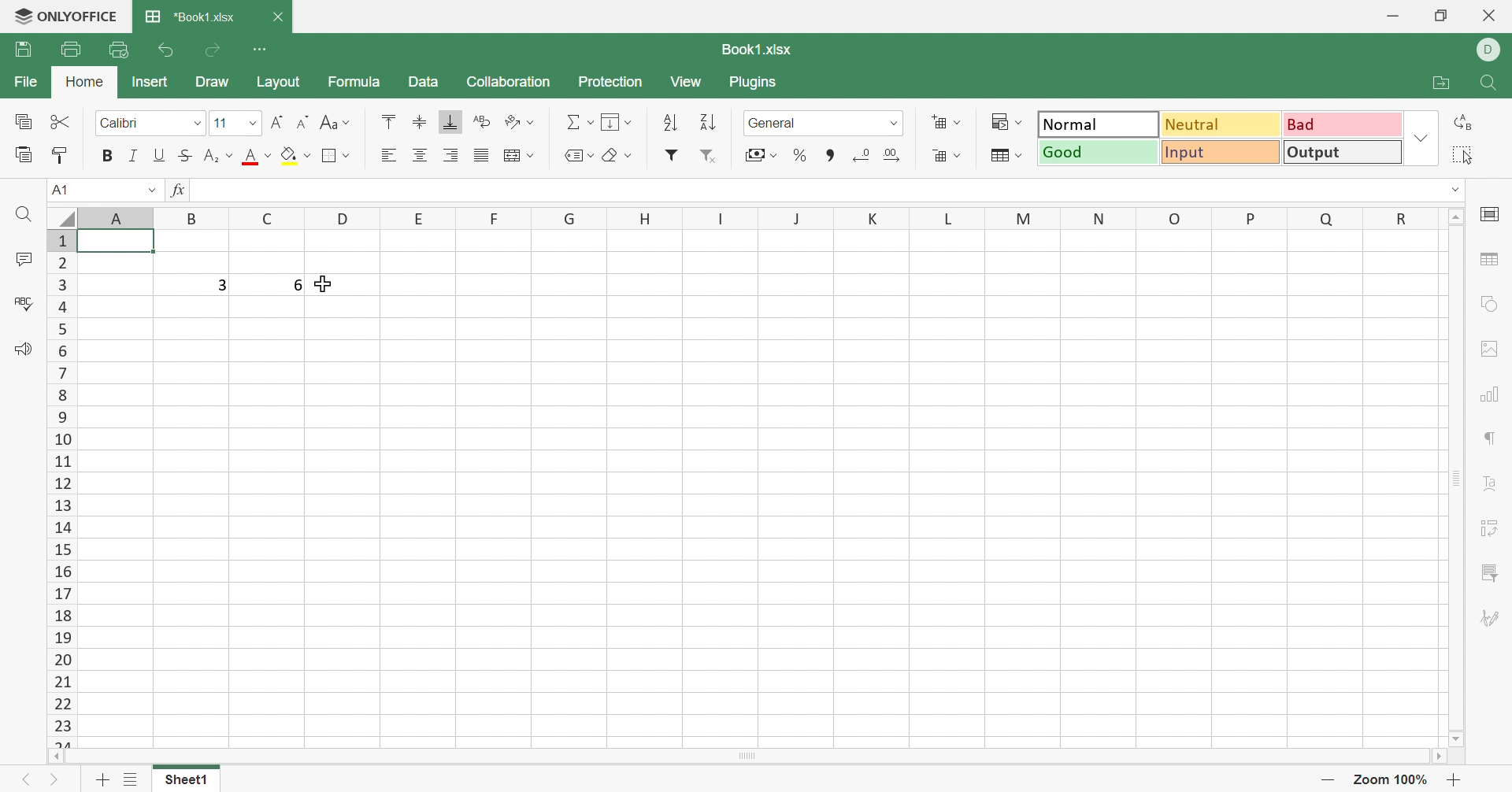  Describe the element at coordinates (1458, 191) in the screenshot. I see `dROP DOWN` at that location.